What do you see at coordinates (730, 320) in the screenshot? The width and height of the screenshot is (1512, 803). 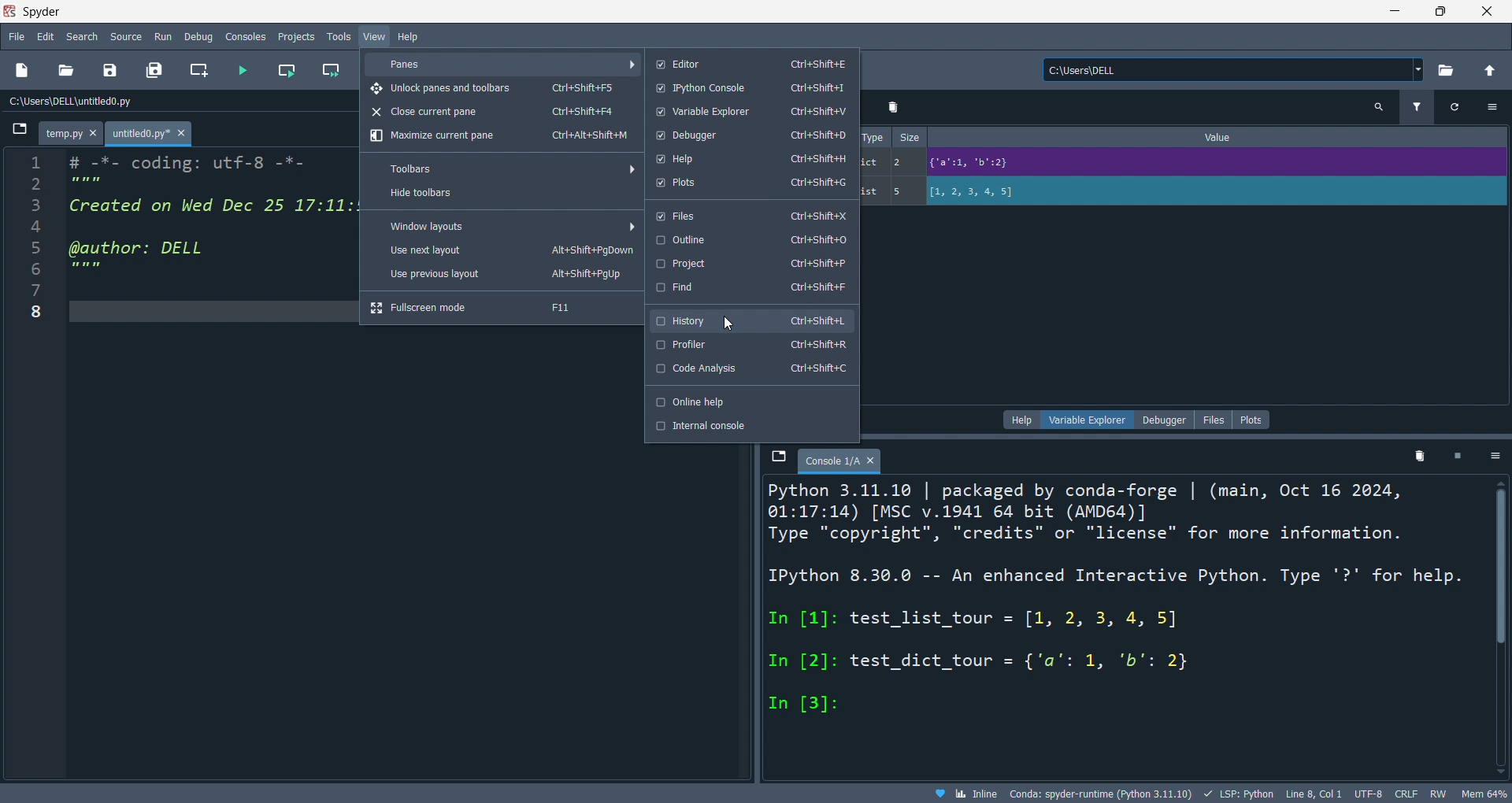 I see `cursor` at bounding box center [730, 320].